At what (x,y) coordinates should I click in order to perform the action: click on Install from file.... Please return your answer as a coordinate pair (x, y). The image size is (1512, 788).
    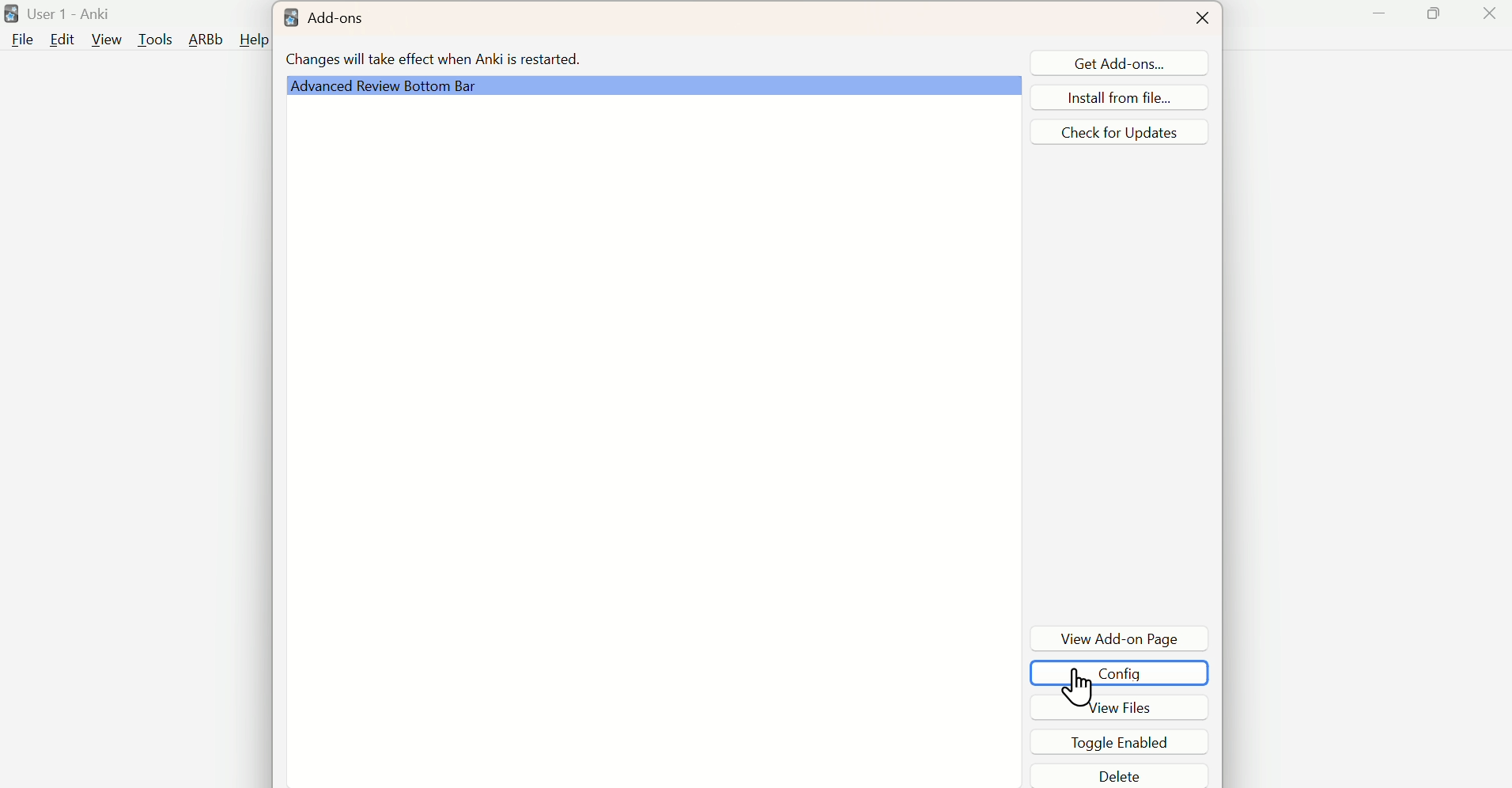
    Looking at the image, I should click on (1115, 97).